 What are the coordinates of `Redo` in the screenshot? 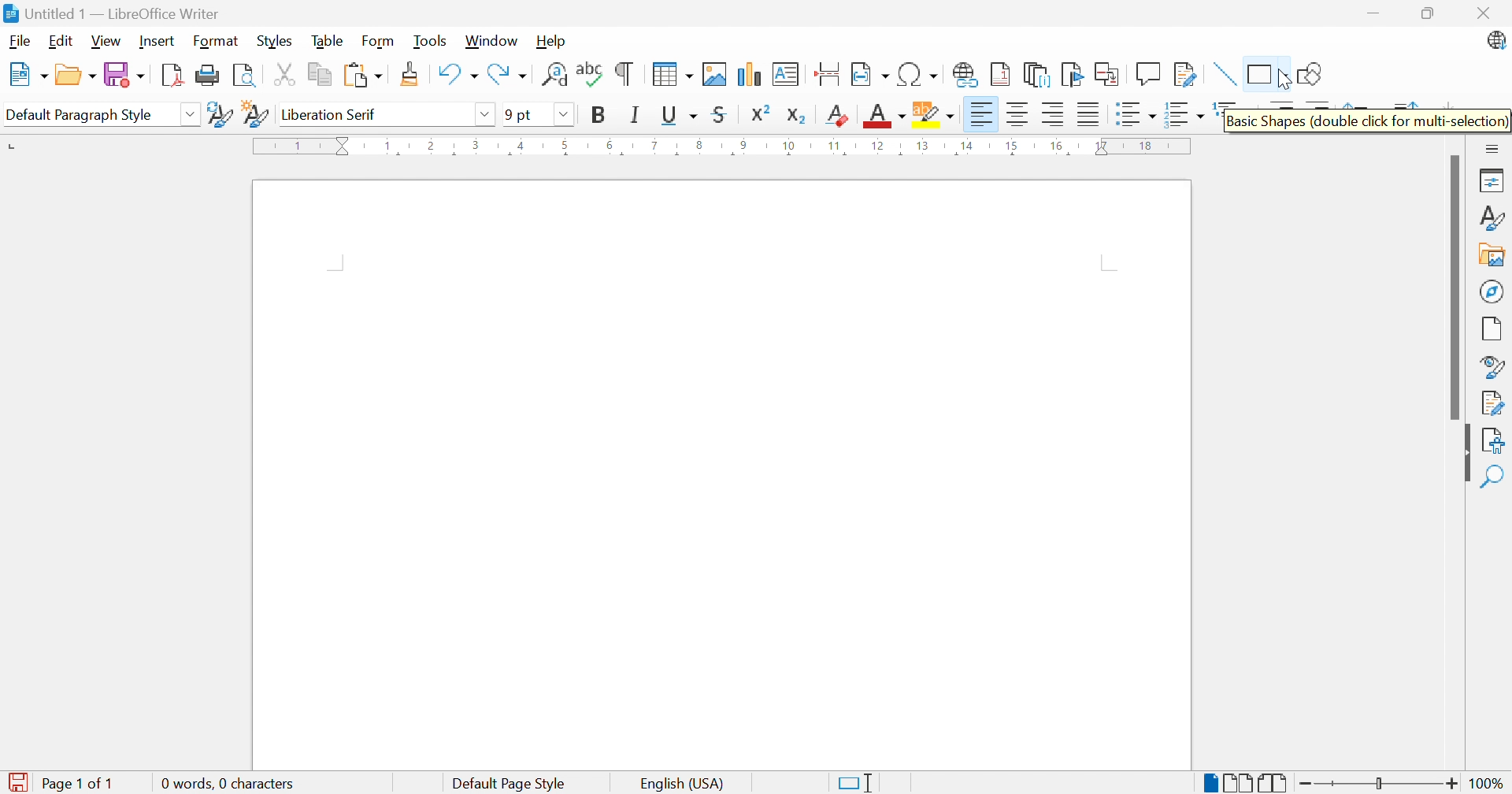 It's located at (508, 74).